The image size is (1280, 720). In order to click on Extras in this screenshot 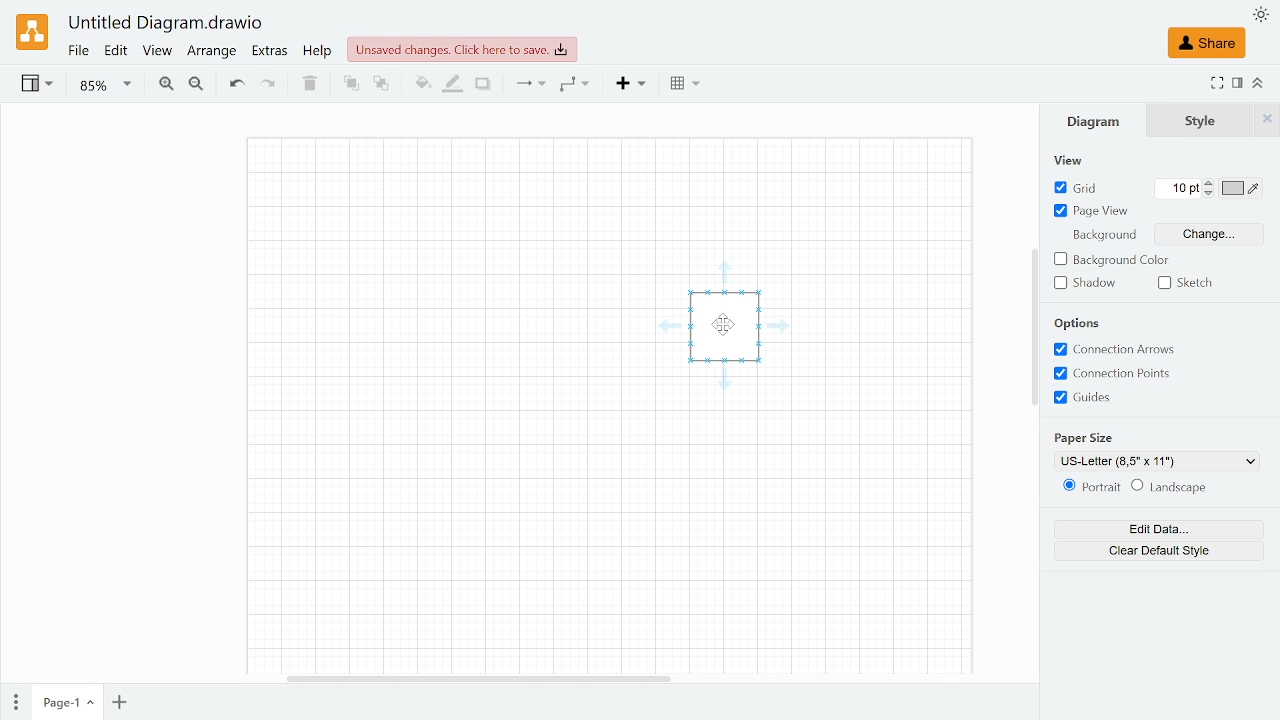, I will do `click(271, 52)`.